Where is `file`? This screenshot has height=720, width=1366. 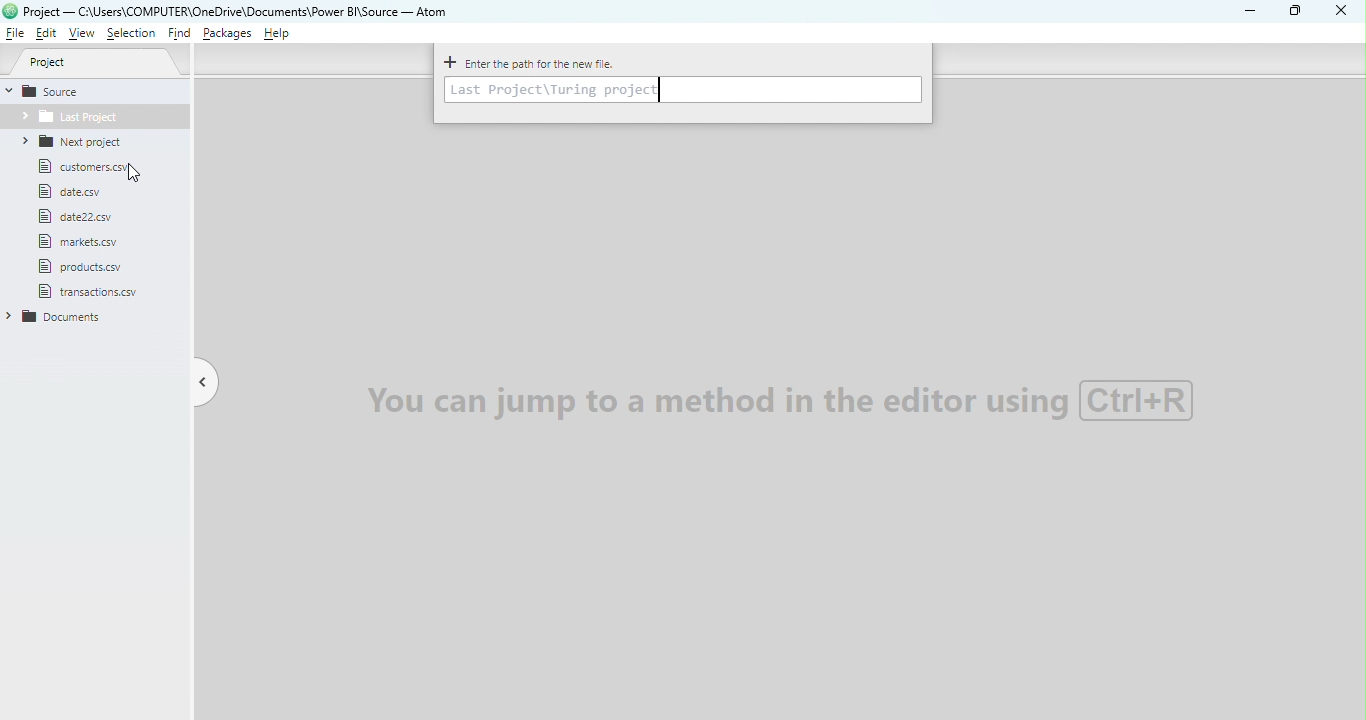 file is located at coordinates (100, 294).